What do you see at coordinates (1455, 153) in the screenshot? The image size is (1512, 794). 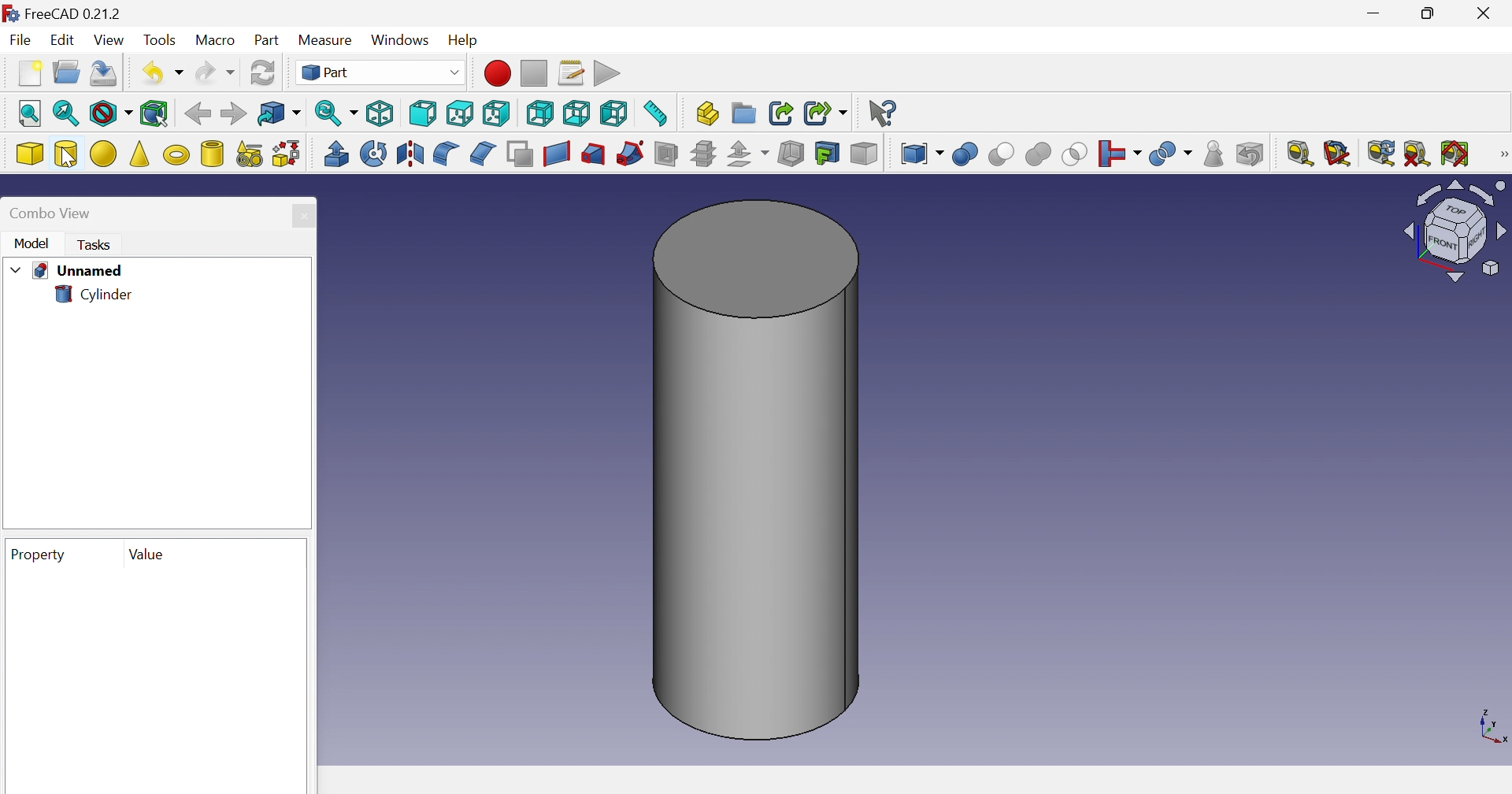 I see `Toggle all` at bounding box center [1455, 153].